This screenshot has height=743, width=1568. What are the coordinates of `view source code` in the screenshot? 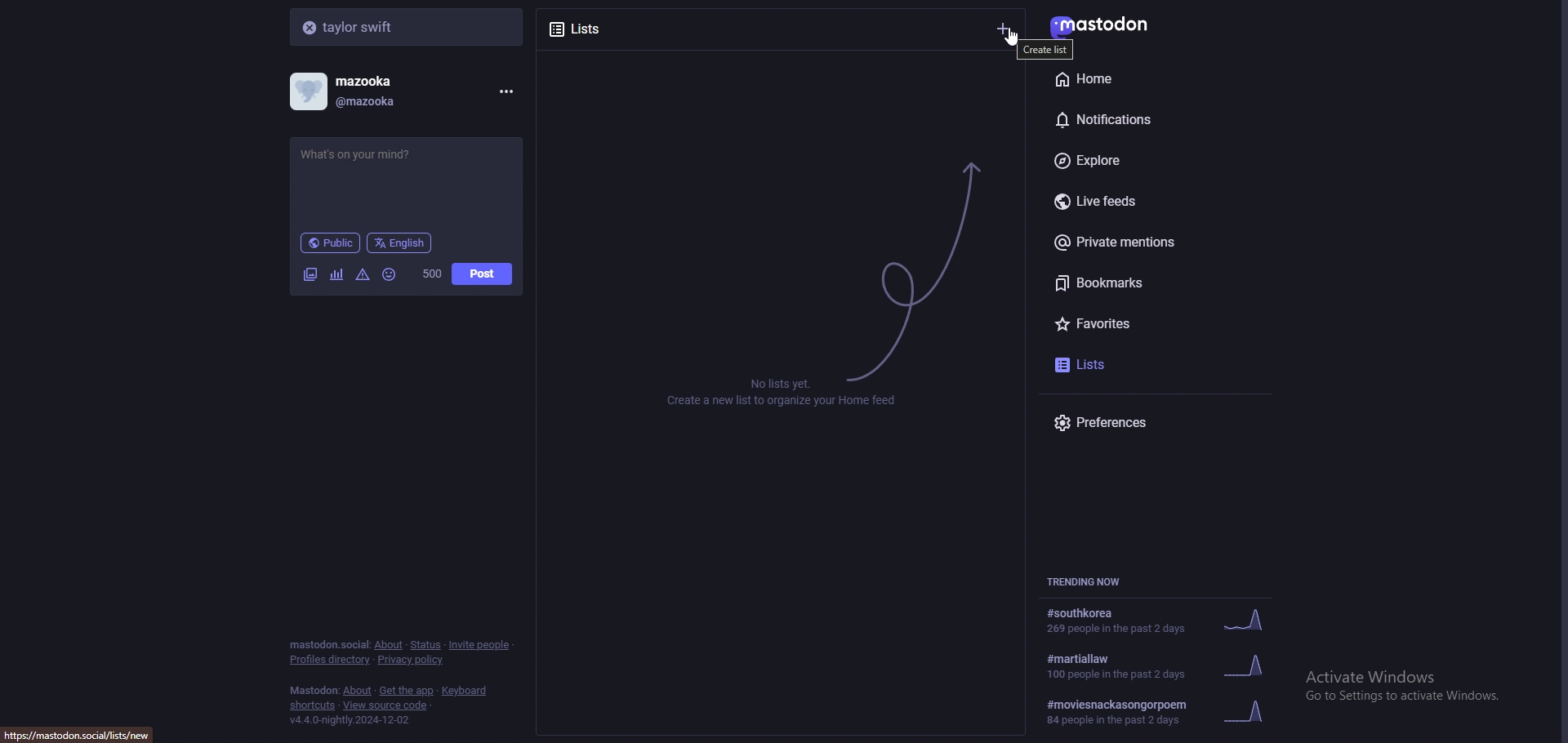 It's located at (385, 706).